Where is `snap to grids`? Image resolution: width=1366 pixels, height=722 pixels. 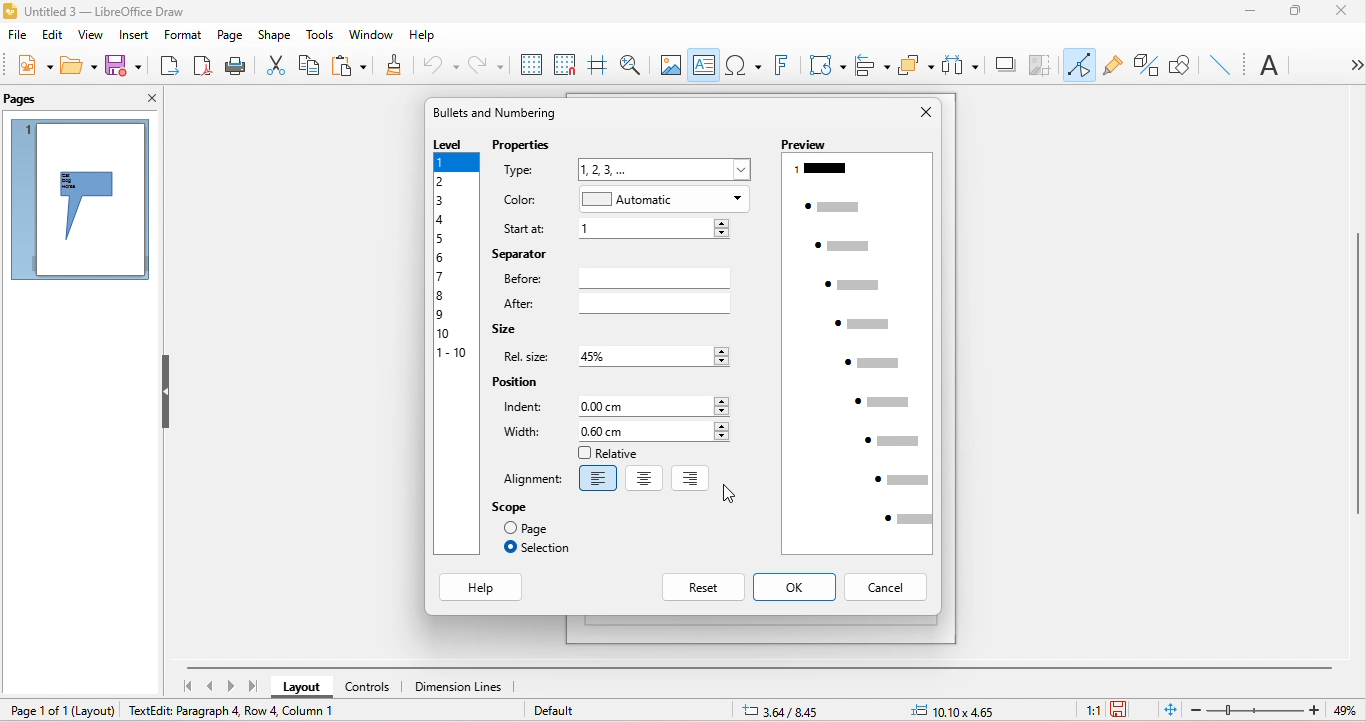 snap to grids is located at coordinates (565, 67).